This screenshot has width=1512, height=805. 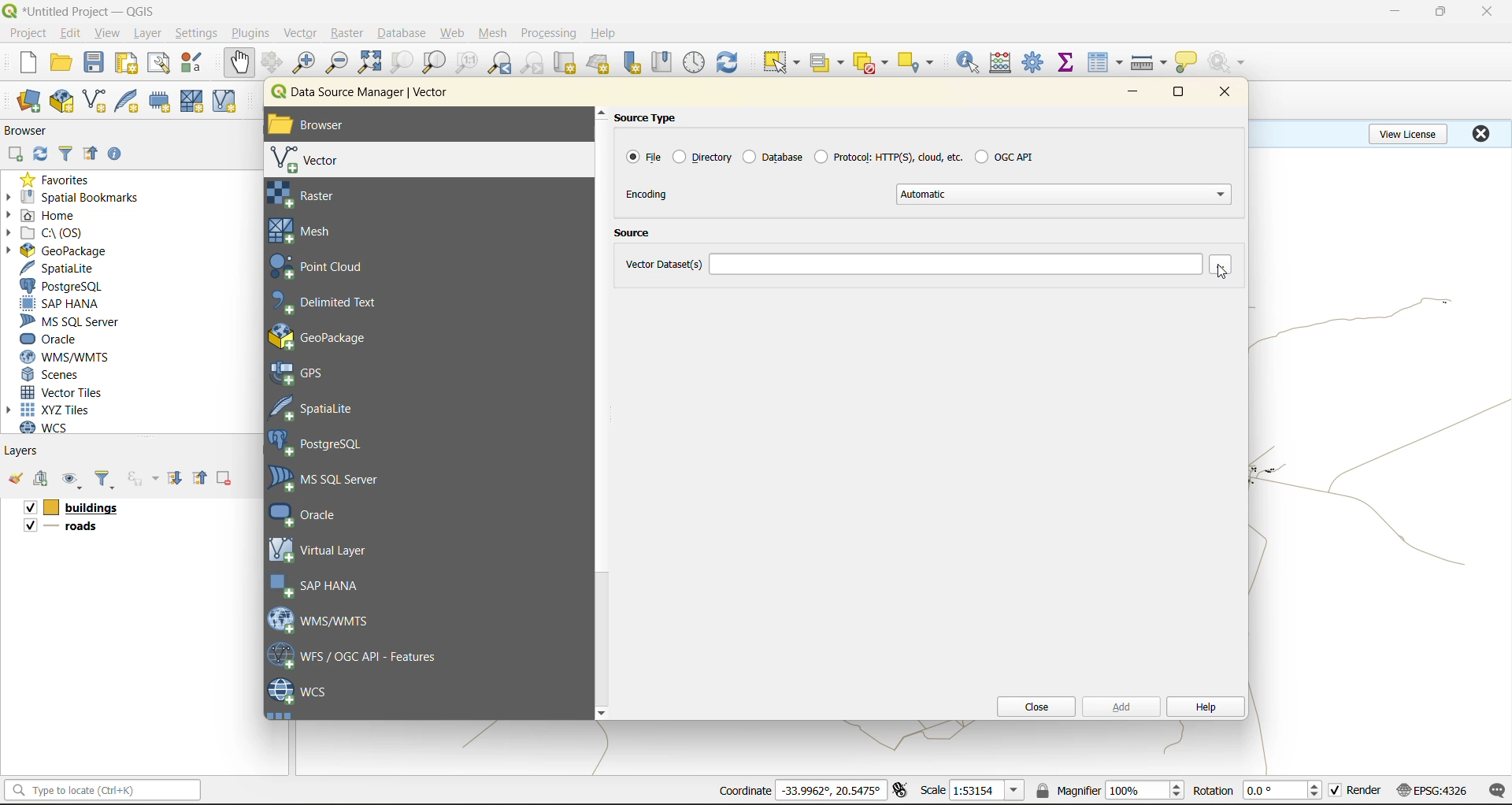 I want to click on help, so click(x=606, y=33).